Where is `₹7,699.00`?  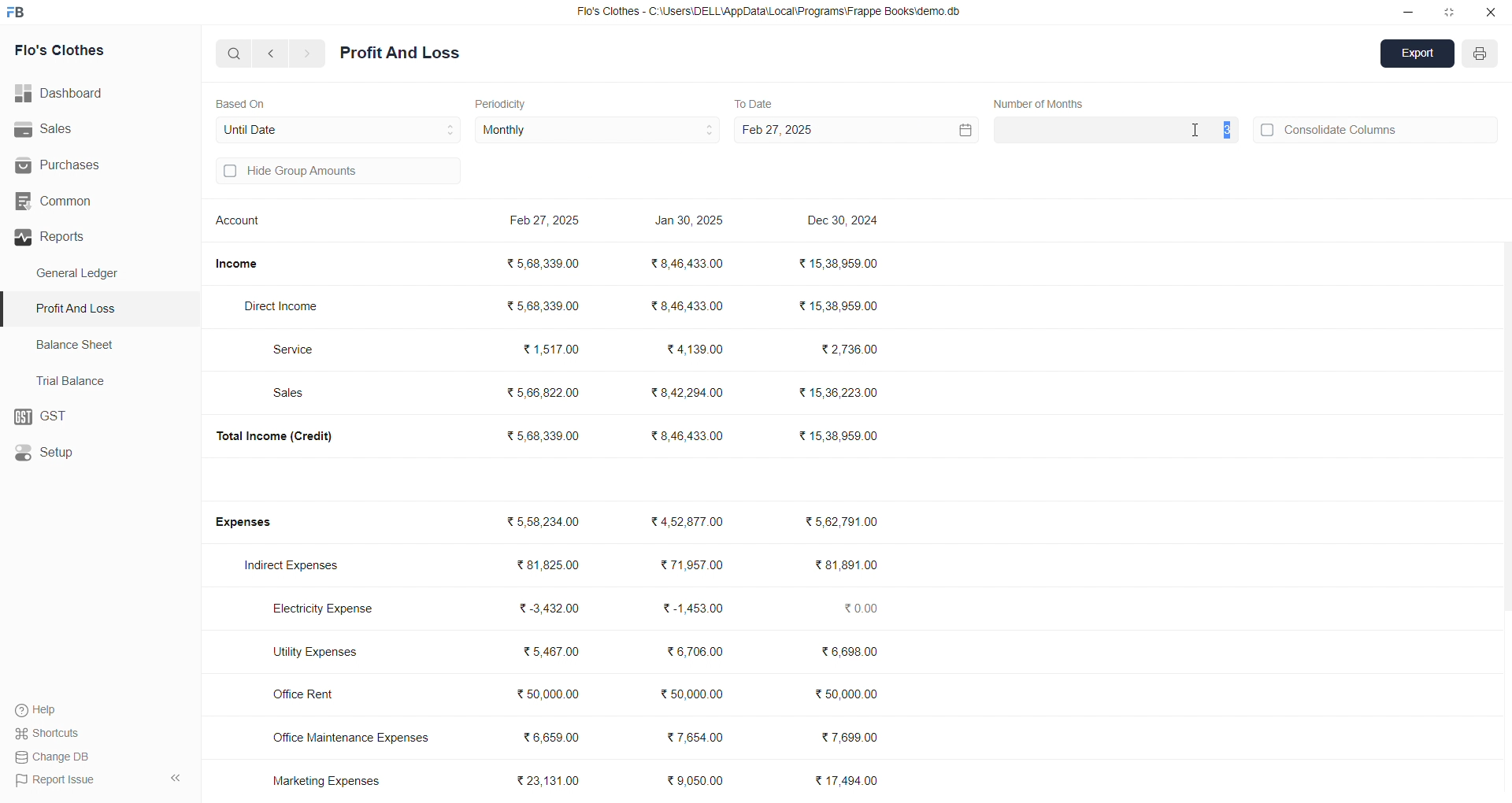
₹7,699.00 is located at coordinates (850, 735).